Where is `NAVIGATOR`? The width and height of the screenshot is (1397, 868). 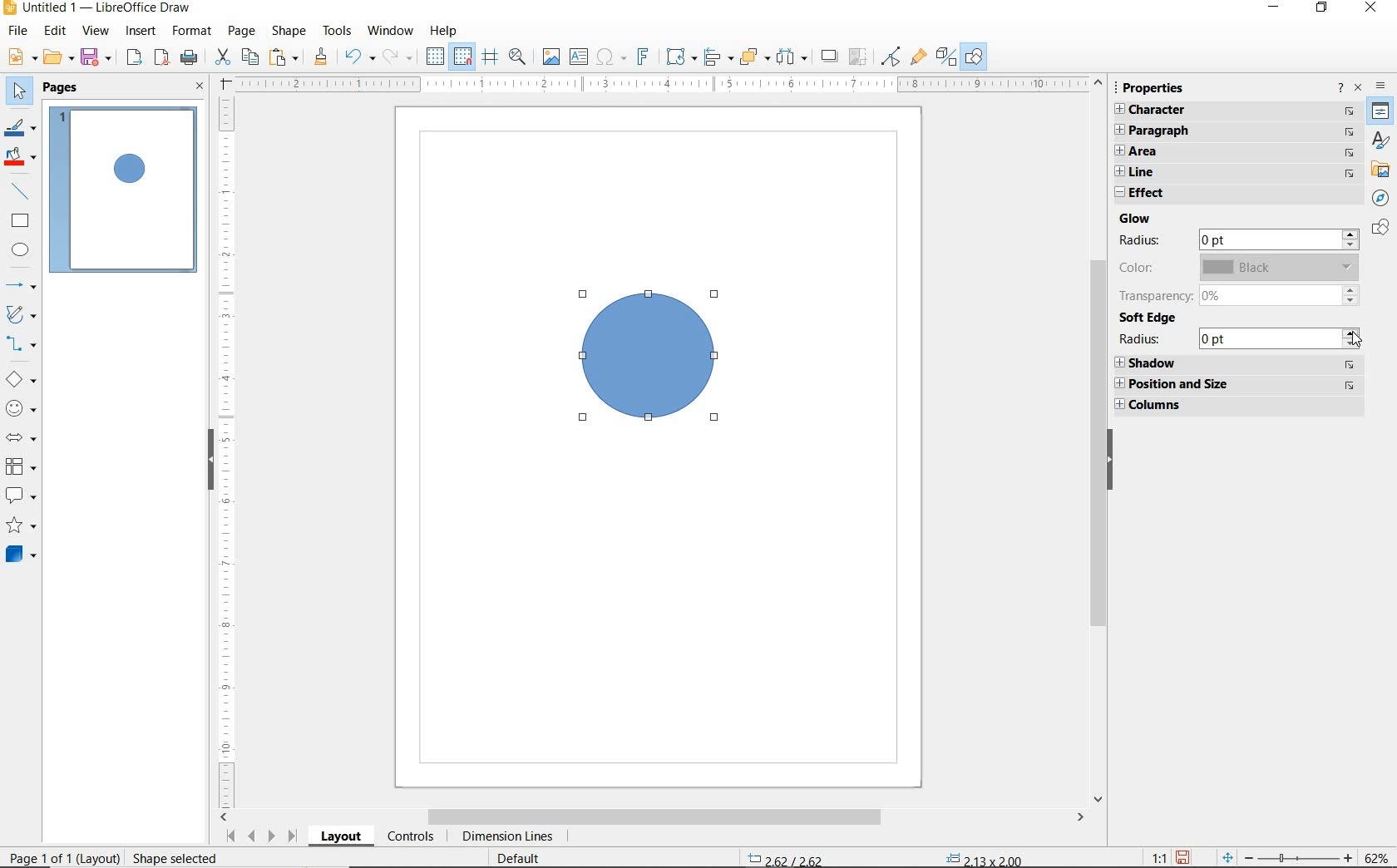
NAVIGATOR is located at coordinates (1378, 199).